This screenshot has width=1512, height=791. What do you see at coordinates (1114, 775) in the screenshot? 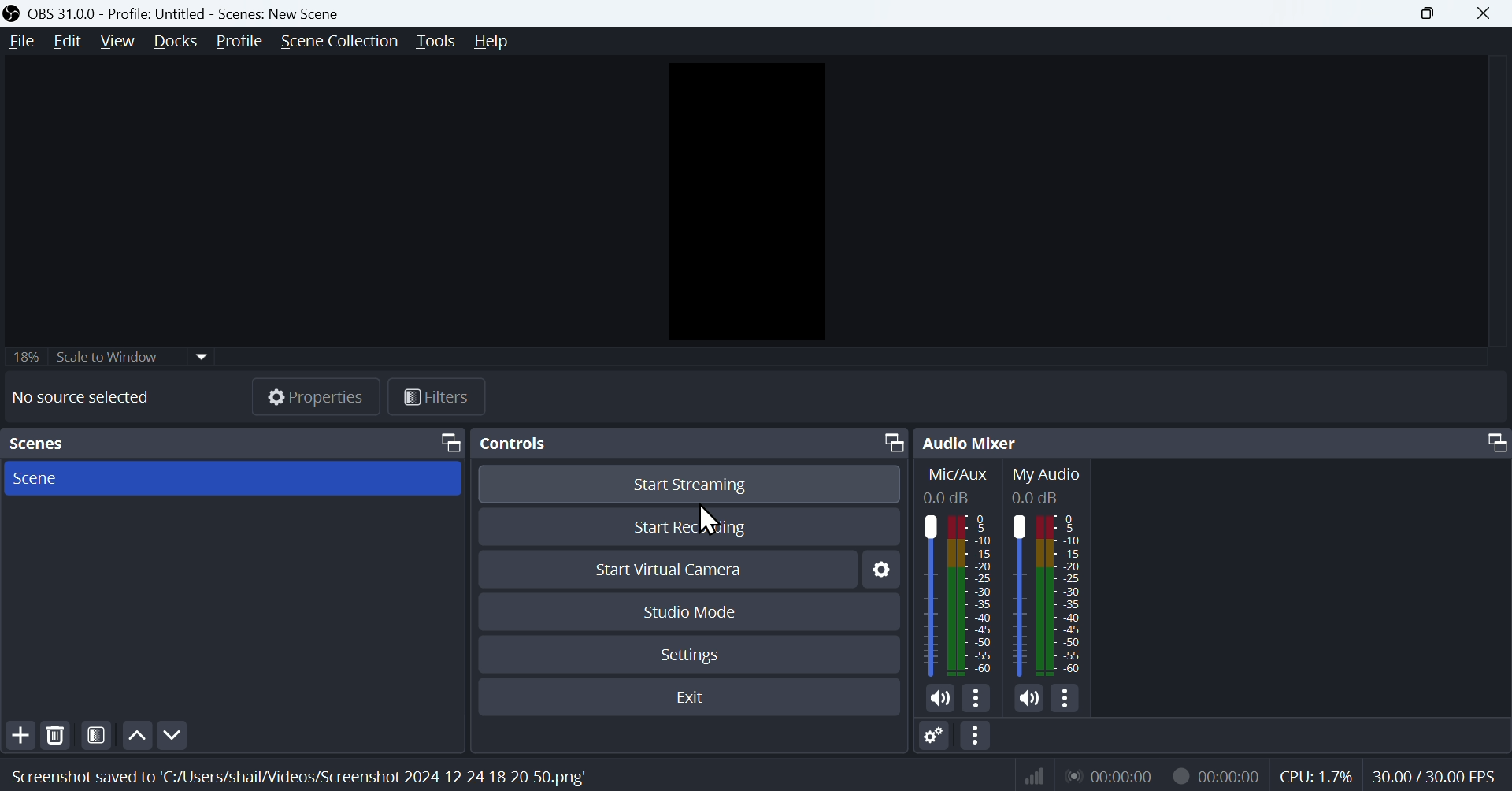
I see `Timer` at bounding box center [1114, 775].